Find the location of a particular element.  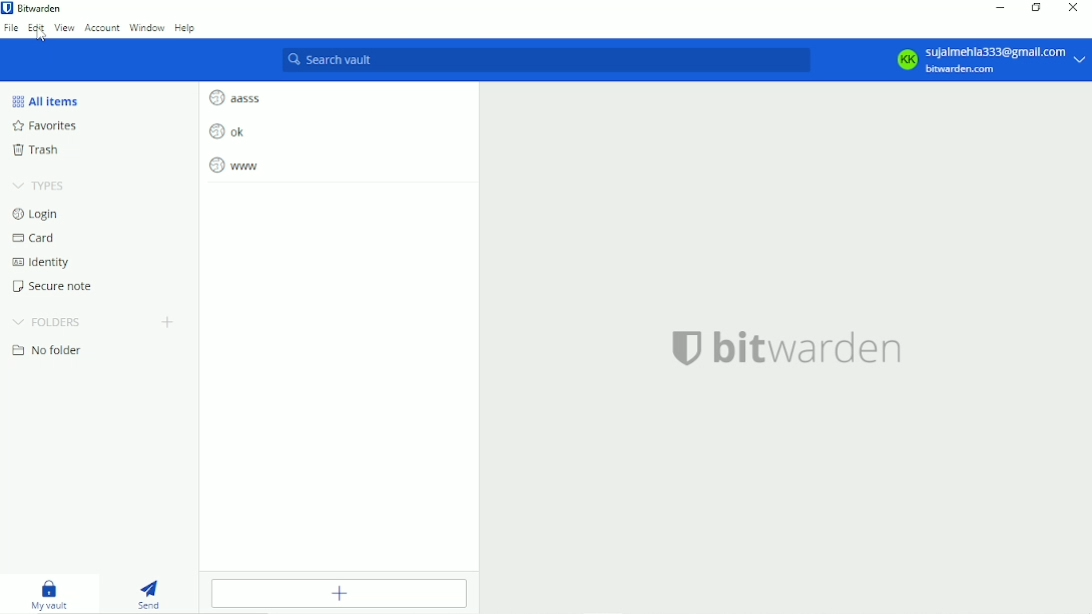

Add item is located at coordinates (337, 593).